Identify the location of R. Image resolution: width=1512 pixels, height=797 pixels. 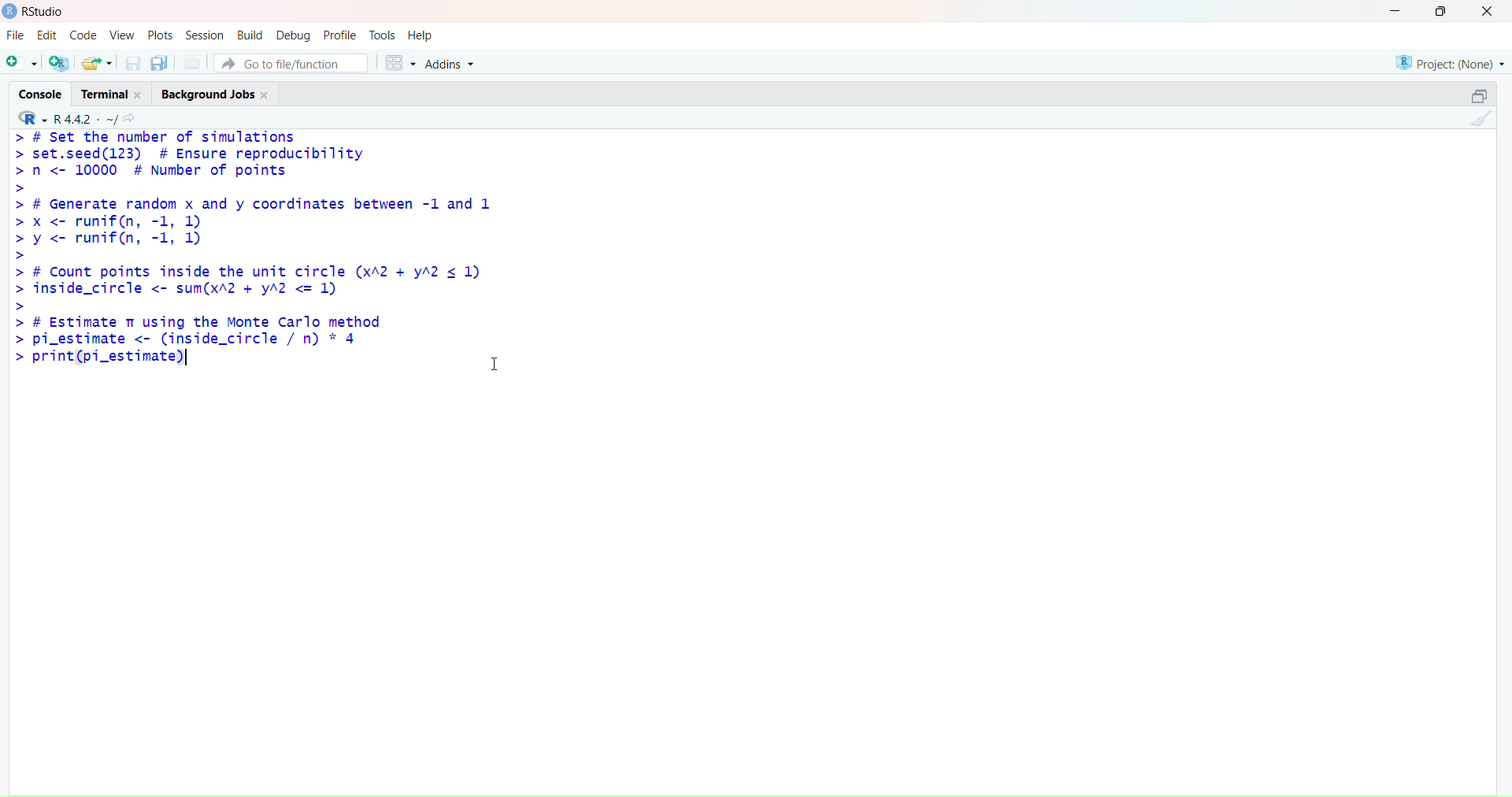
(32, 117).